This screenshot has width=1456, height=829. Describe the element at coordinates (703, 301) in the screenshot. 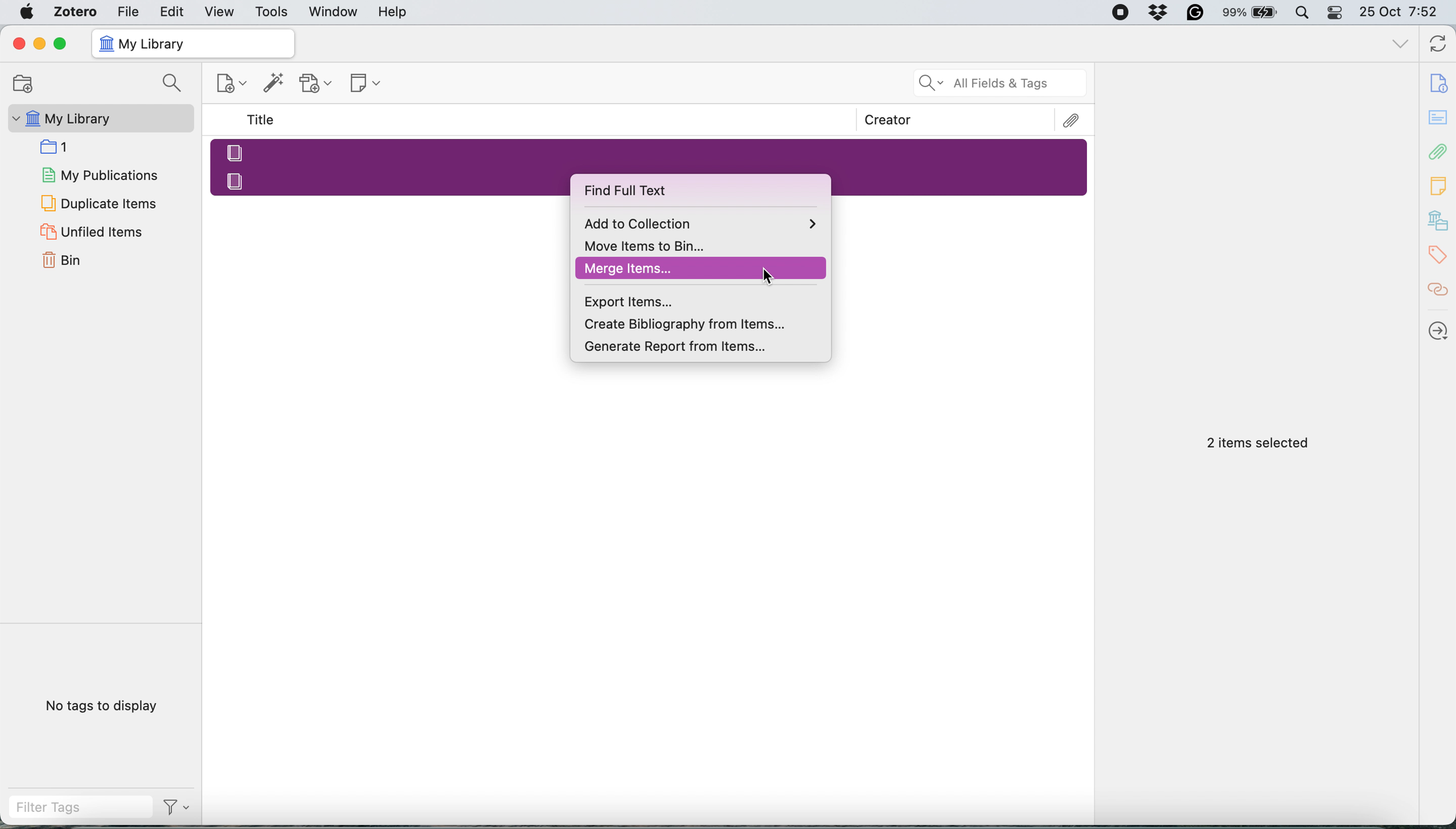

I see `Export Items...` at that location.